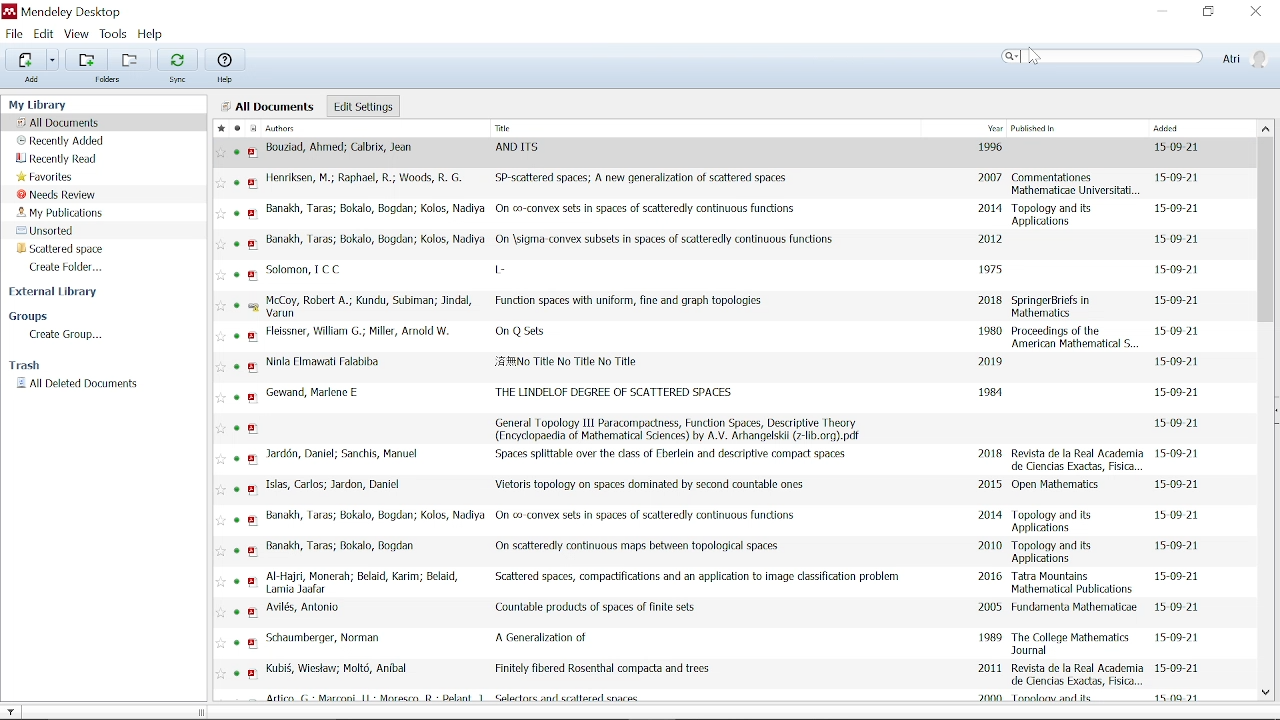 This screenshot has height=720, width=1280. I want to click on Help, so click(227, 66).